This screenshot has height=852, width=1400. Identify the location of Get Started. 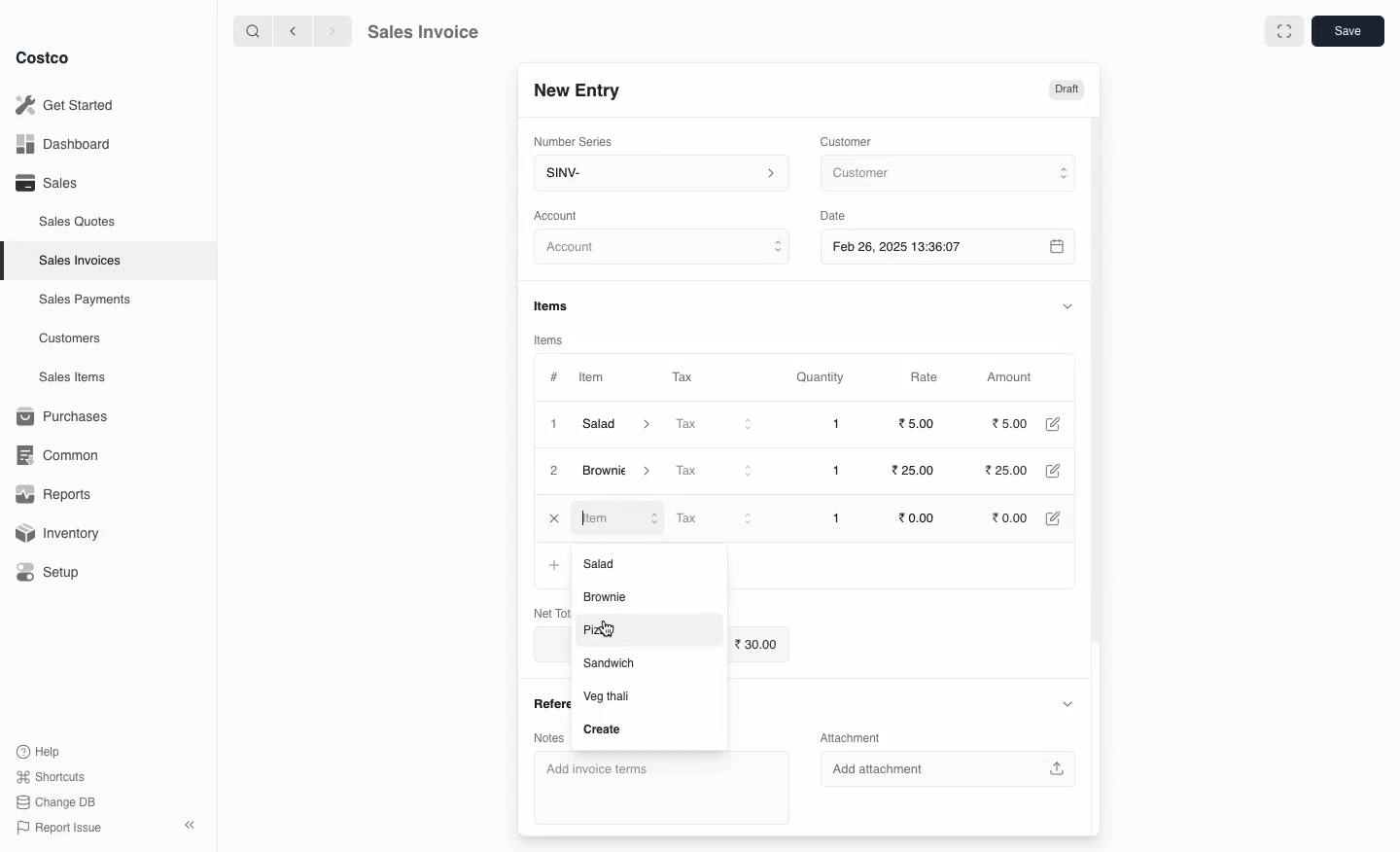
(64, 104).